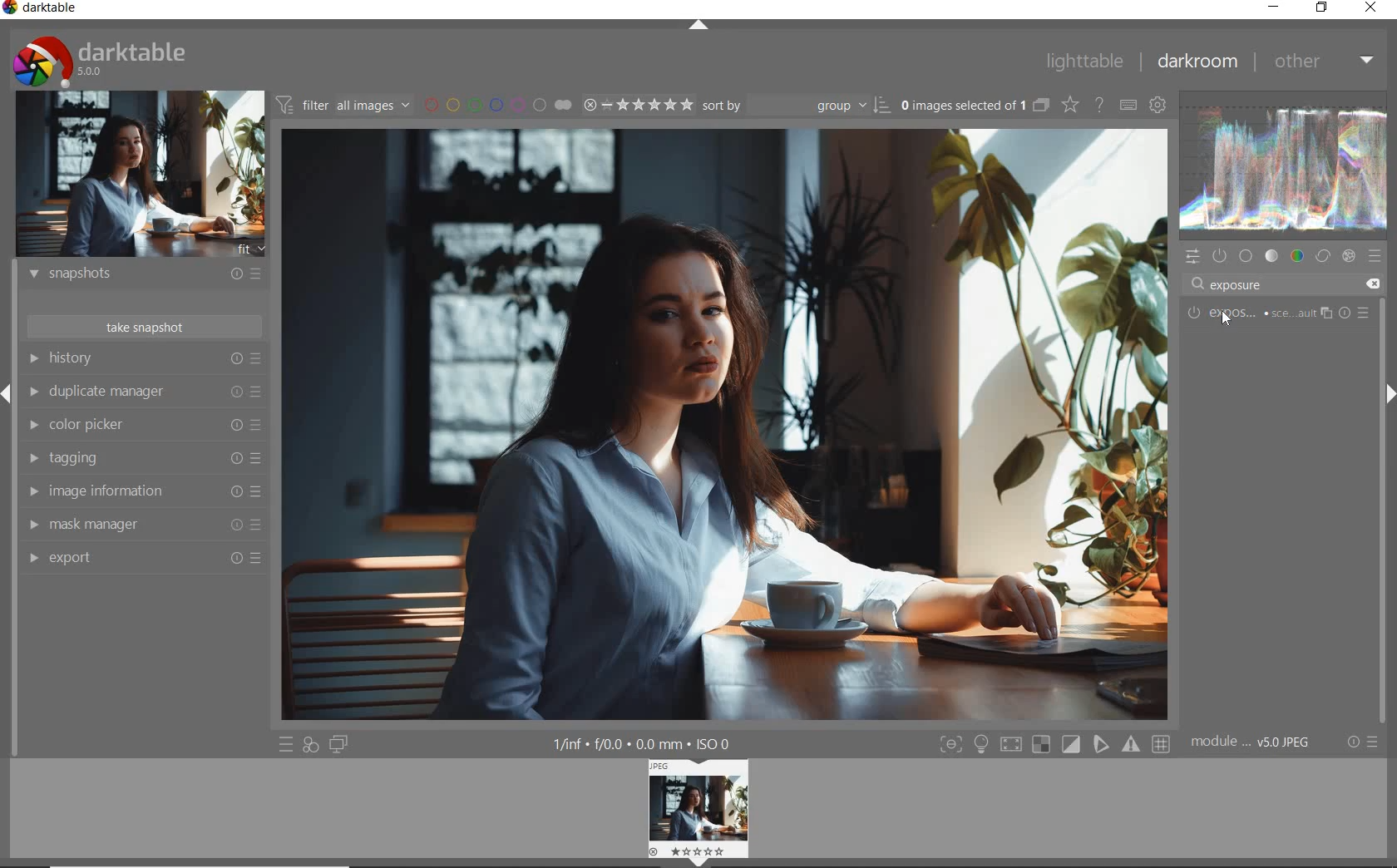  I want to click on reset or presets & preferences, so click(1362, 742).